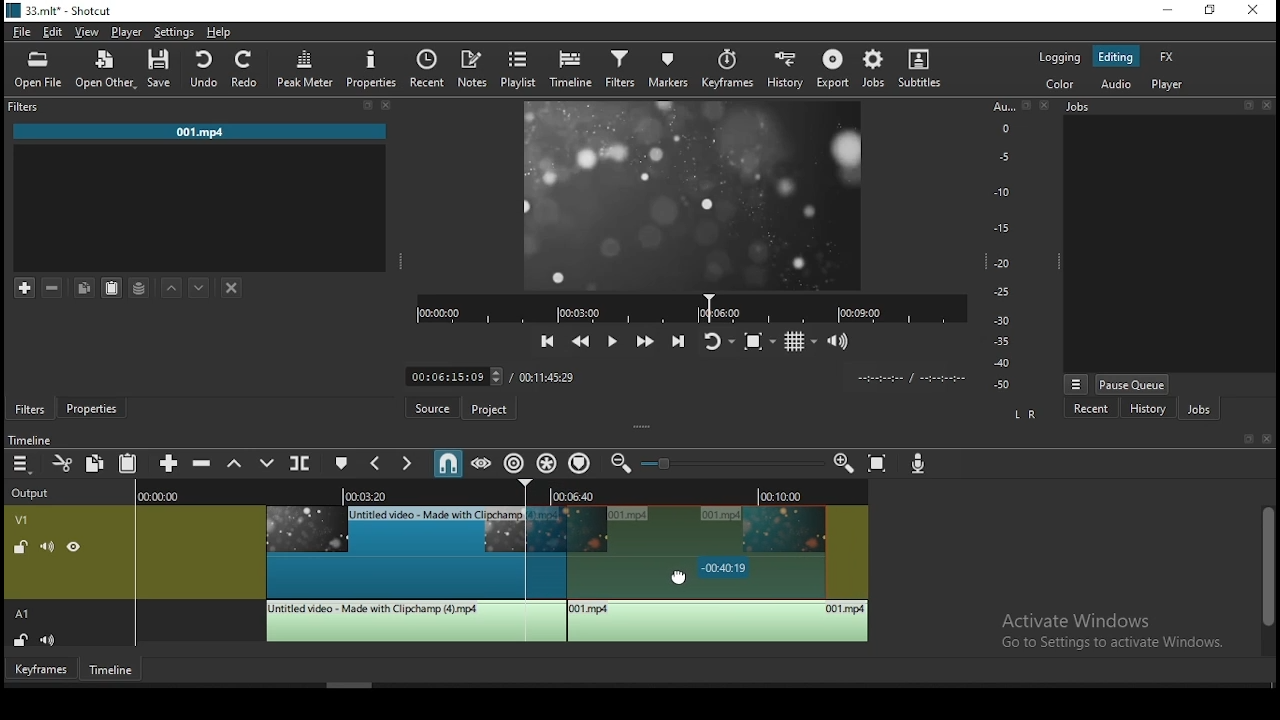 This screenshot has height=720, width=1280. I want to click on overwrite, so click(268, 464).